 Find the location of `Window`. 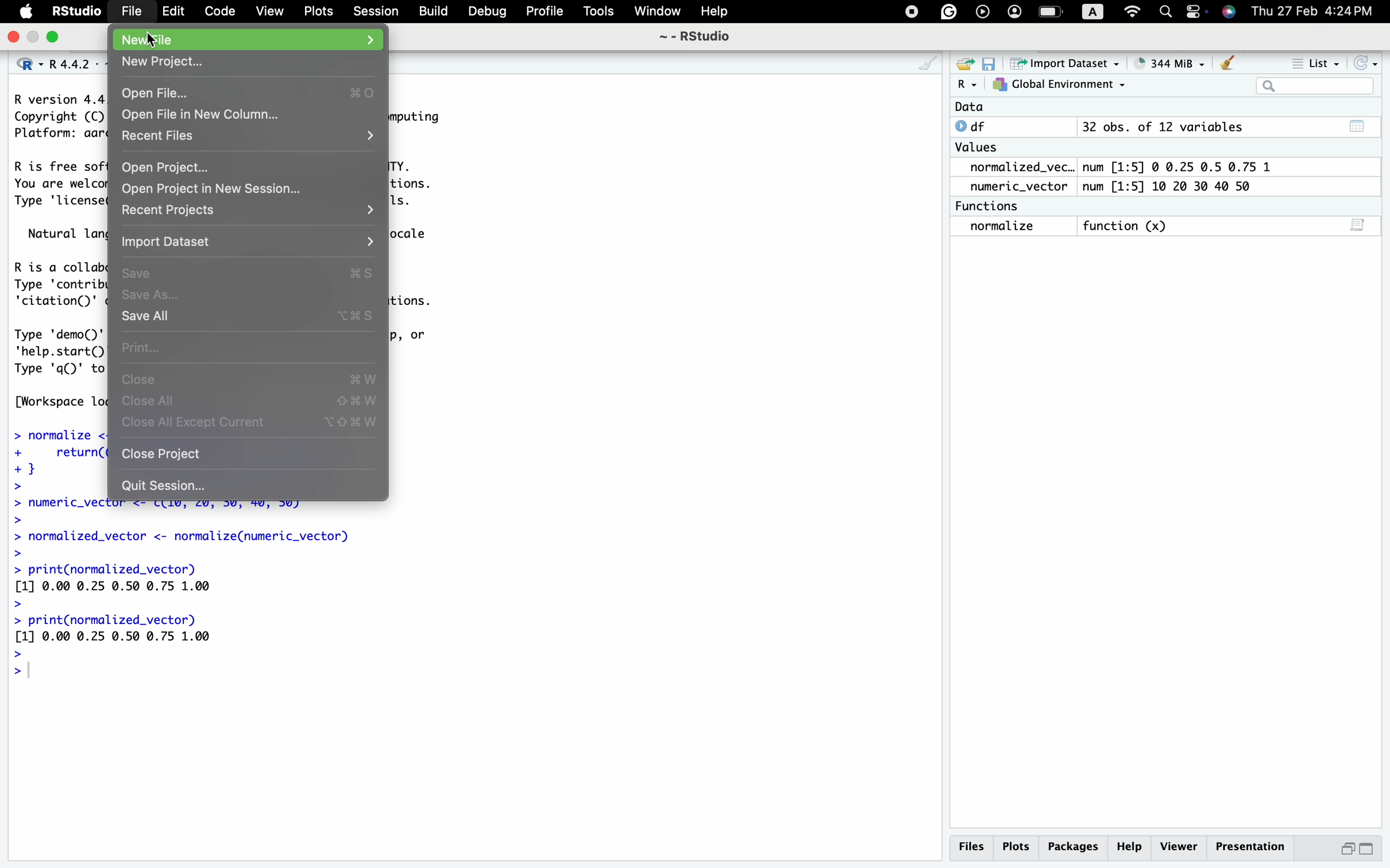

Window is located at coordinates (655, 13).